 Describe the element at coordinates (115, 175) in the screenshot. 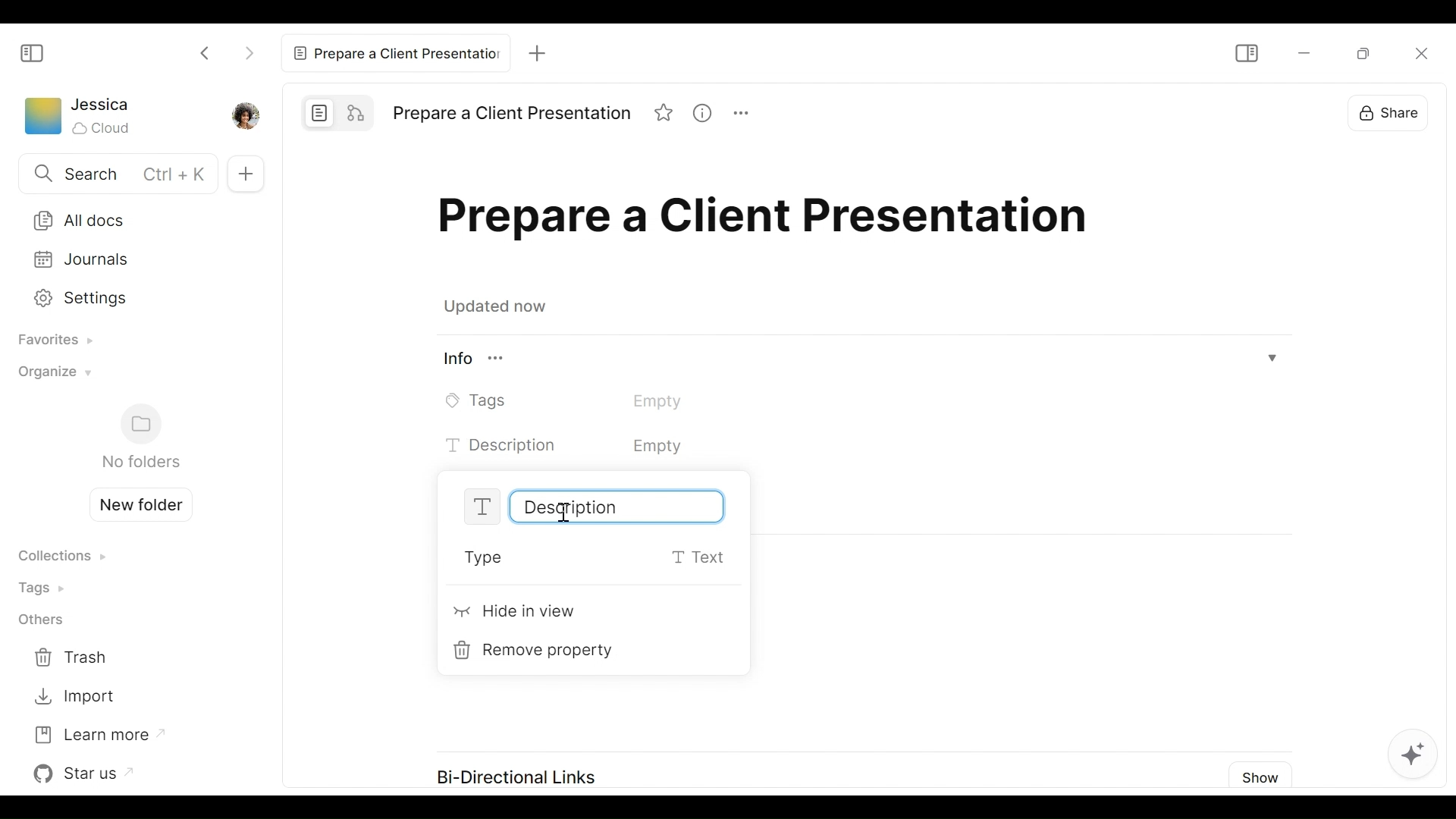

I see `Search` at that location.